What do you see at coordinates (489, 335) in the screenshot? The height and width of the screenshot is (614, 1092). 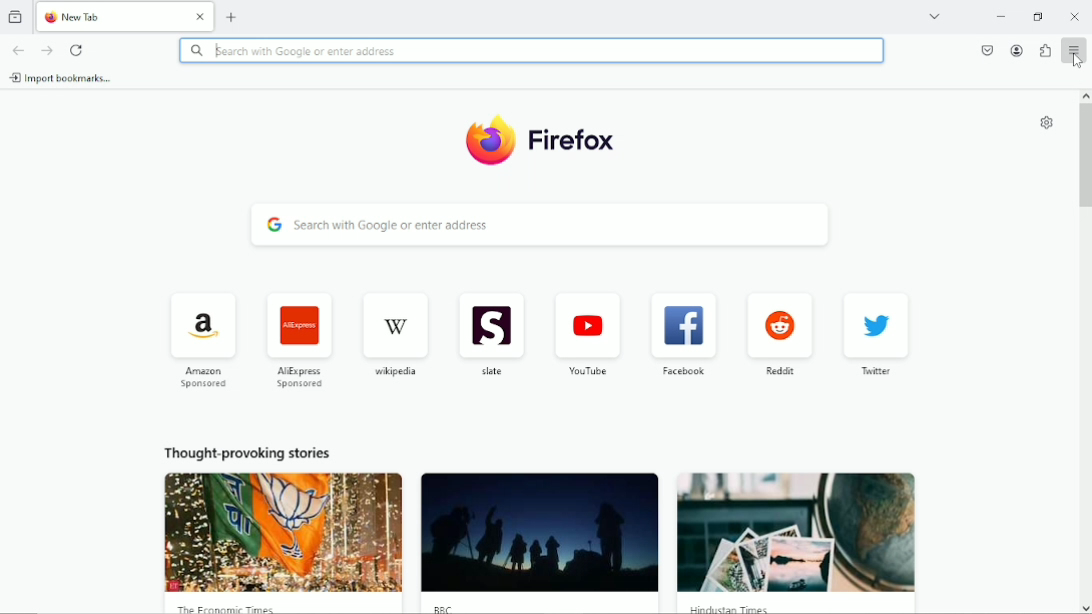 I see `Slate` at bounding box center [489, 335].